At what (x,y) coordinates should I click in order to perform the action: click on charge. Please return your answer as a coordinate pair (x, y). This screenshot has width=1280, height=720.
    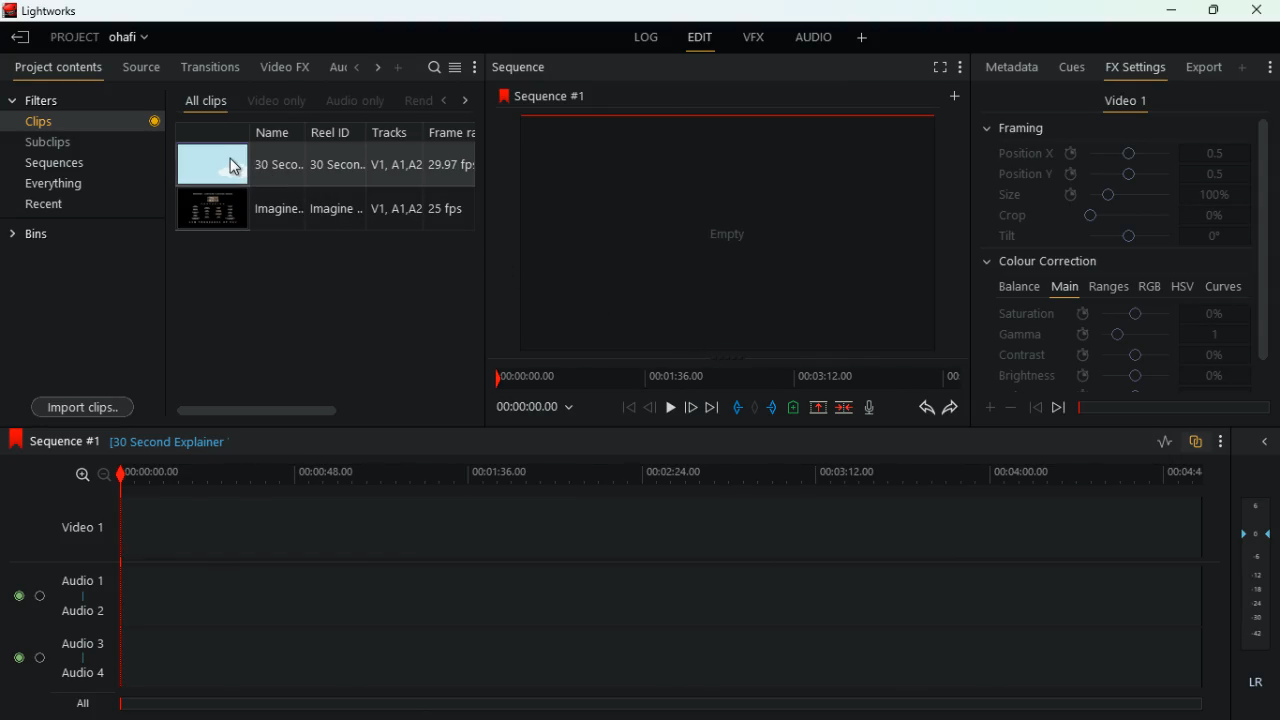
    Looking at the image, I should click on (794, 408).